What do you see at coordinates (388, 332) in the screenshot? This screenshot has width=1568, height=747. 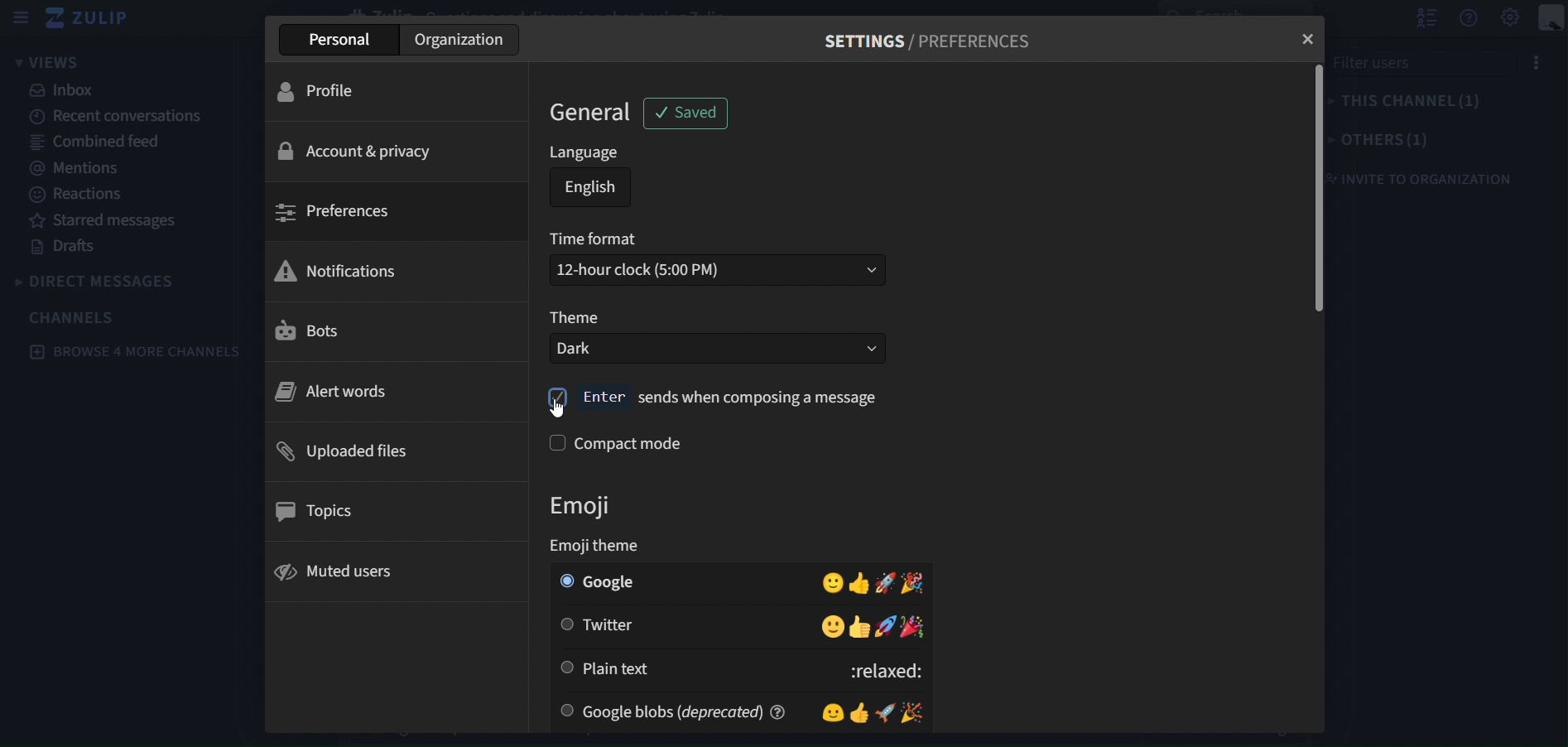 I see `bots` at bounding box center [388, 332].